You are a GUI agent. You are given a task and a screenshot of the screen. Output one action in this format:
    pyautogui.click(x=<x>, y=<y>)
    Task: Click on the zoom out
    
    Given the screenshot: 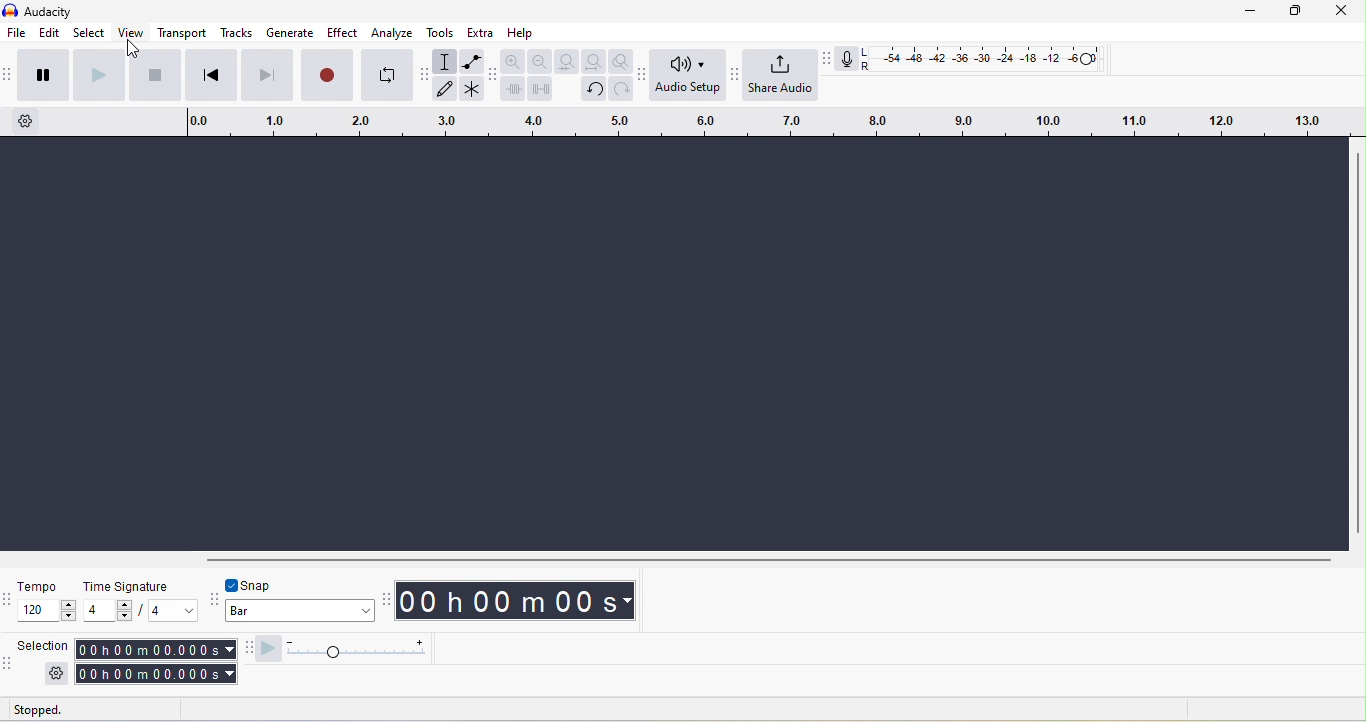 What is the action you would take?
    pyautogui.click(x=540, y=61)
    